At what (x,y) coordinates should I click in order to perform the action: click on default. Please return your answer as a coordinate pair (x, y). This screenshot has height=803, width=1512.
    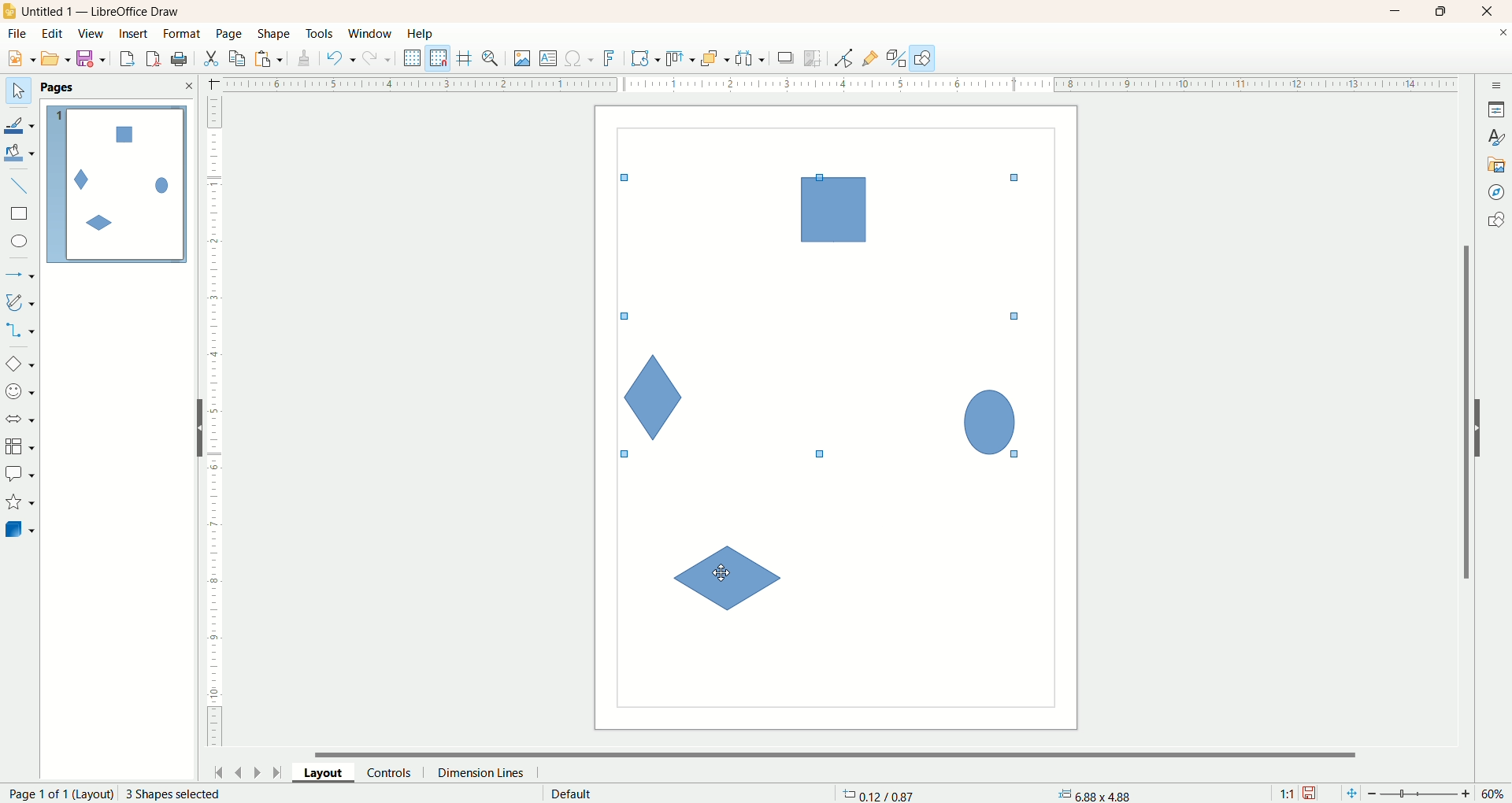
    Looking at the image, I should click on (573, 794).